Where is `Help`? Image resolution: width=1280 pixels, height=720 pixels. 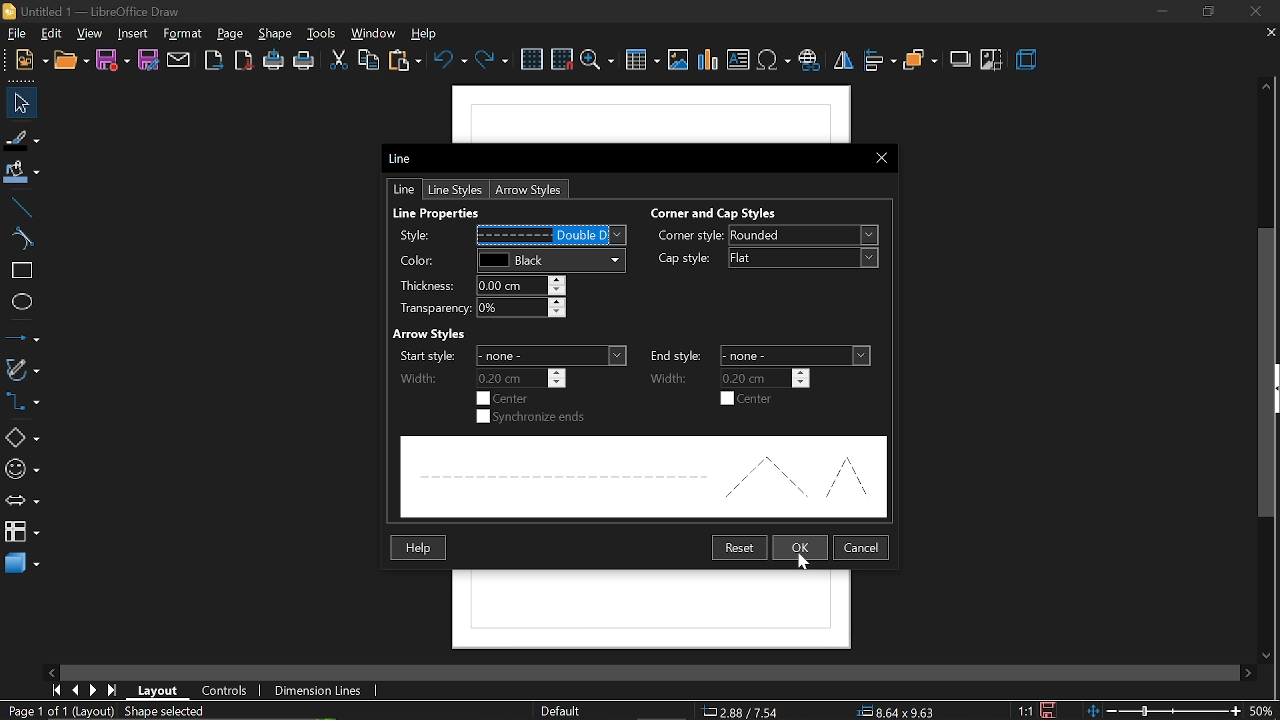 Help is located at coordinates (420, 548).